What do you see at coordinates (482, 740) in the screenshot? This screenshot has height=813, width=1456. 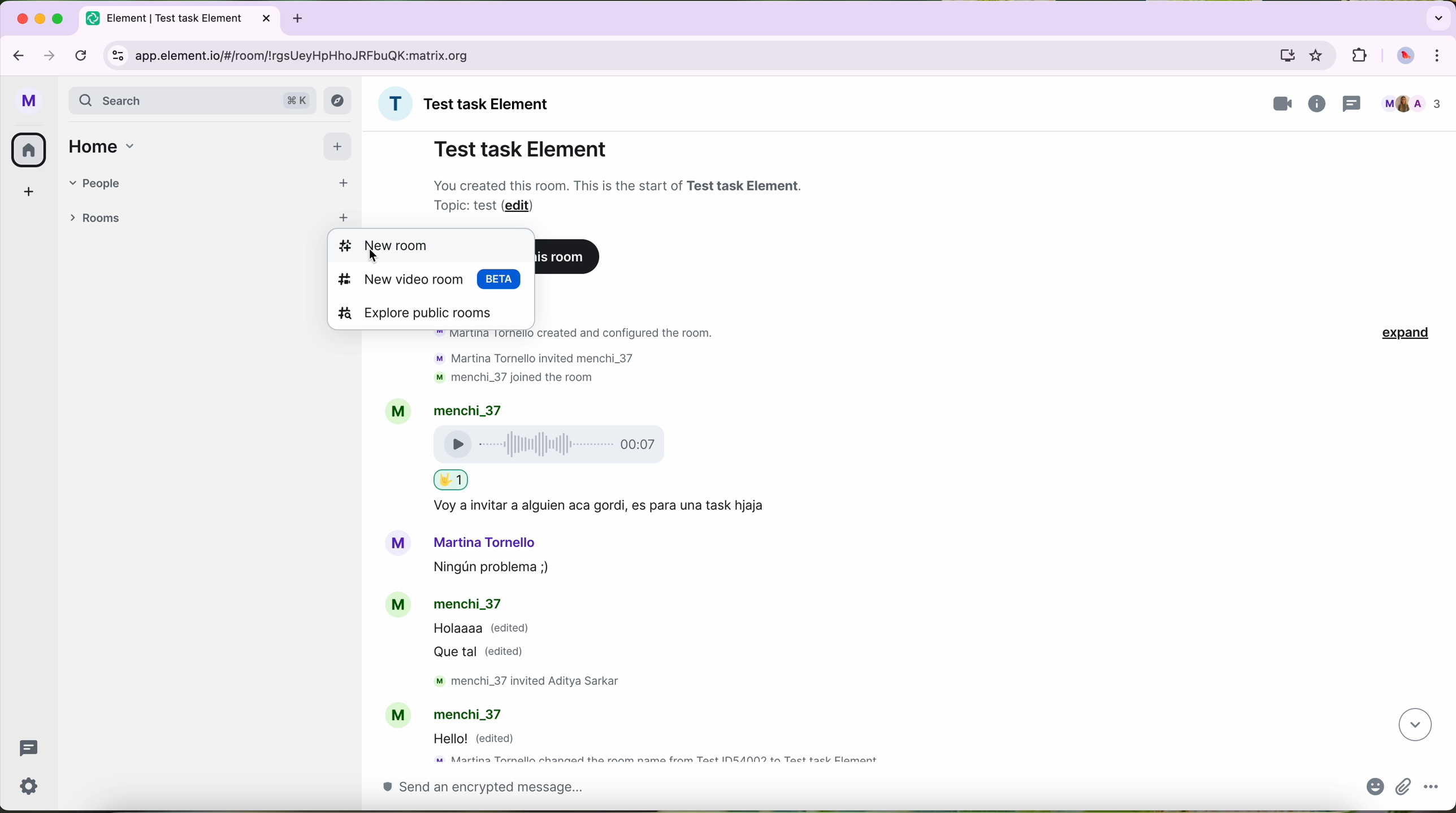 I see `message` at bounding box center [482, 740].